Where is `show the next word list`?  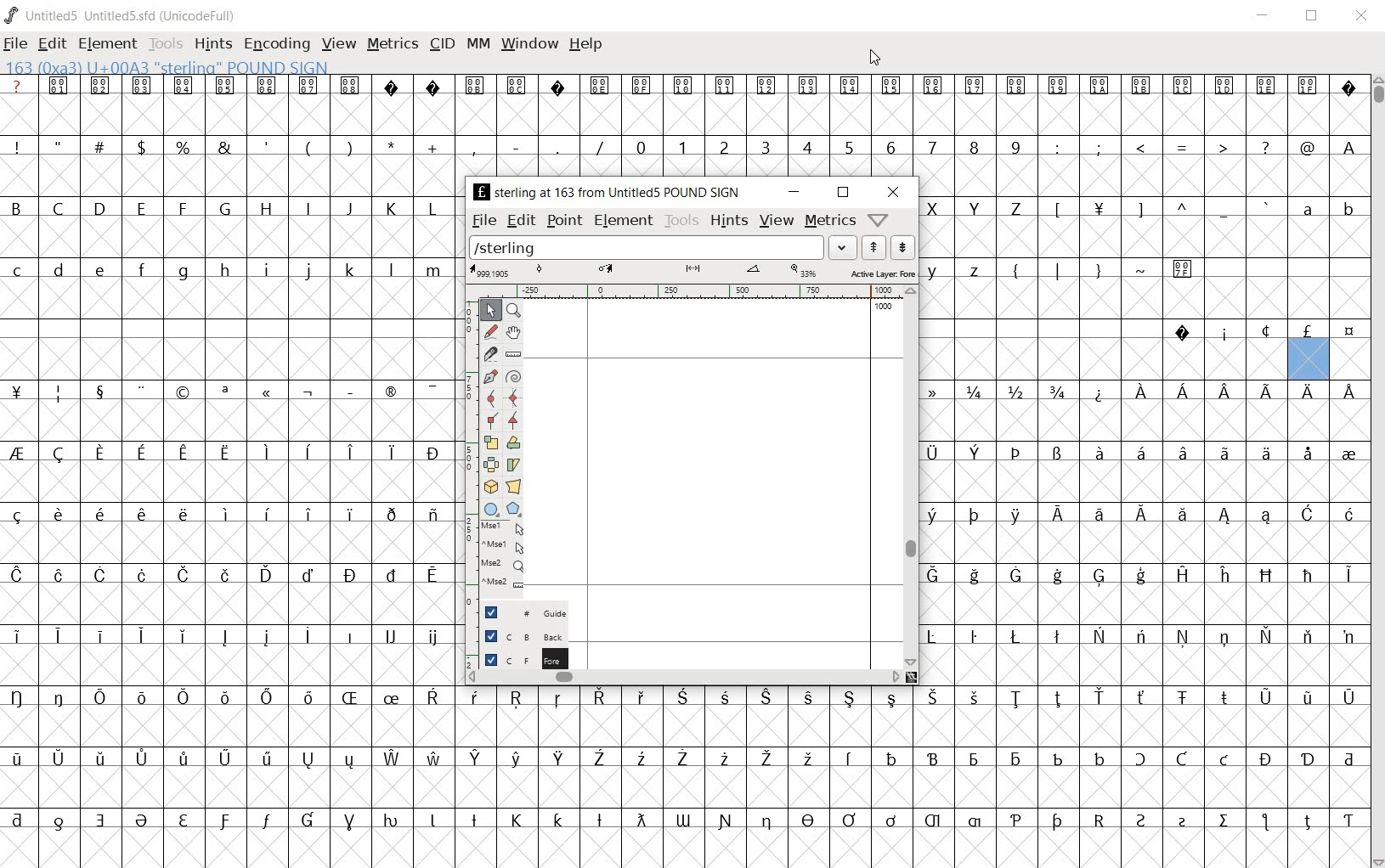 show the next word list is located at coordinates (904, 247).